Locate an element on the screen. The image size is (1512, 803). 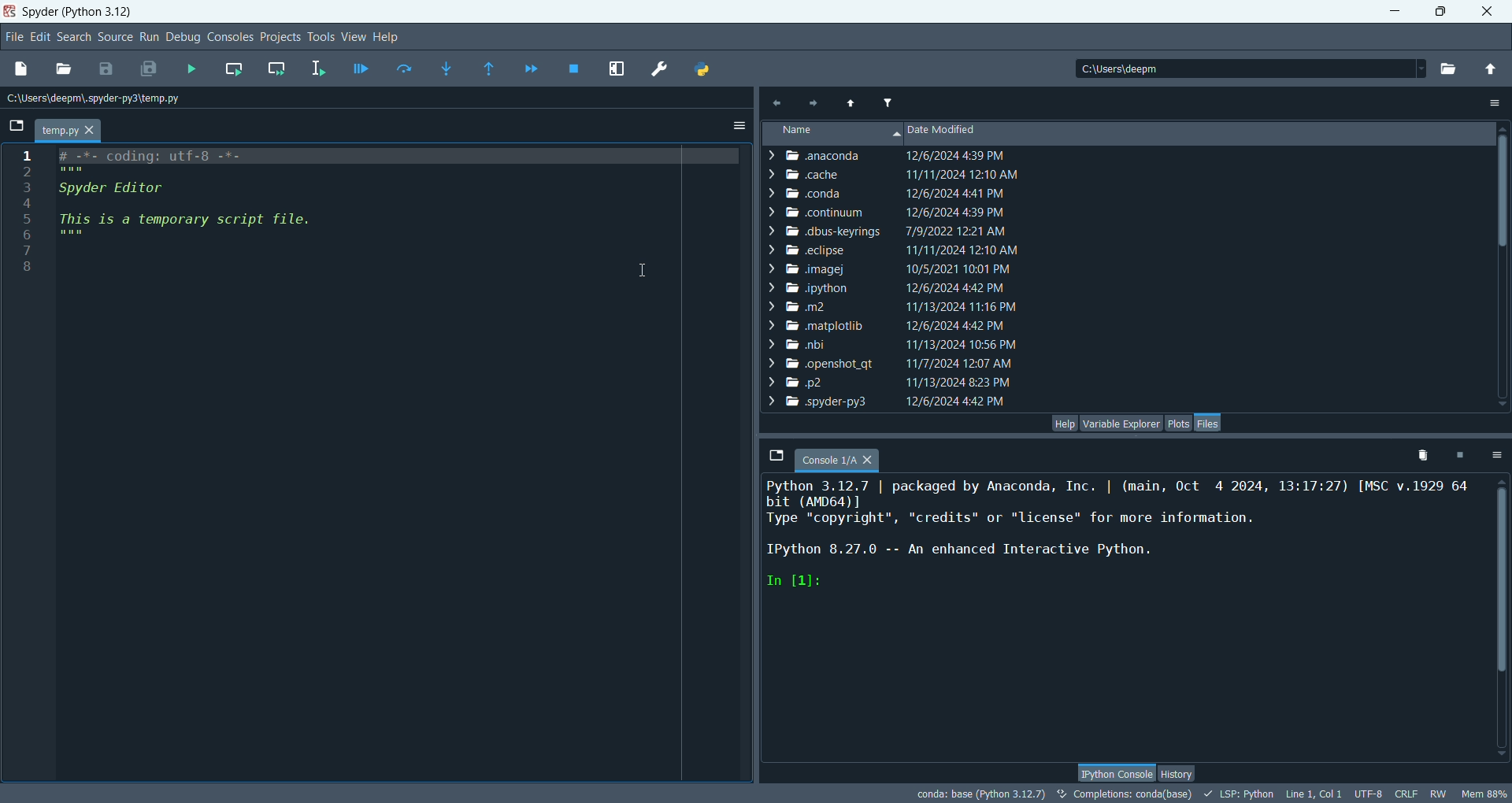
run current line is located at coordinates (406, 69).